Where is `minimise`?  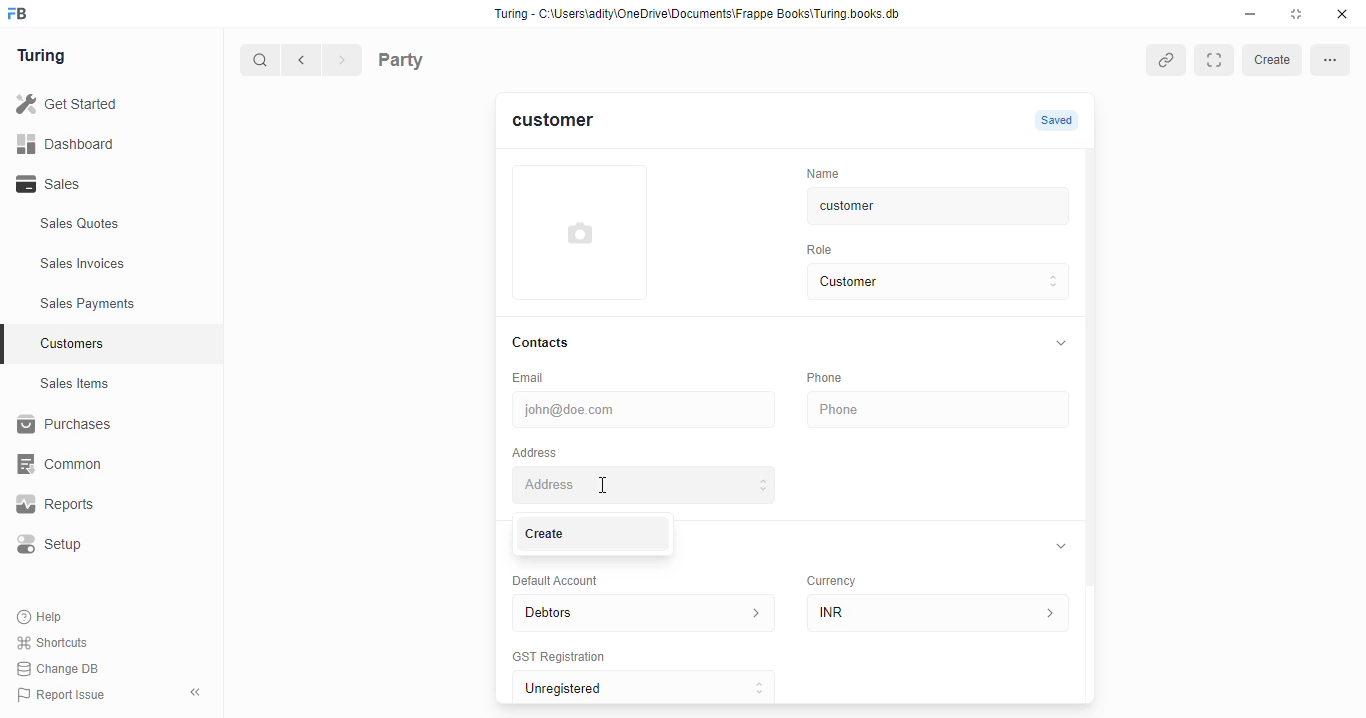 minimise is located at coordinates (1251, 14).